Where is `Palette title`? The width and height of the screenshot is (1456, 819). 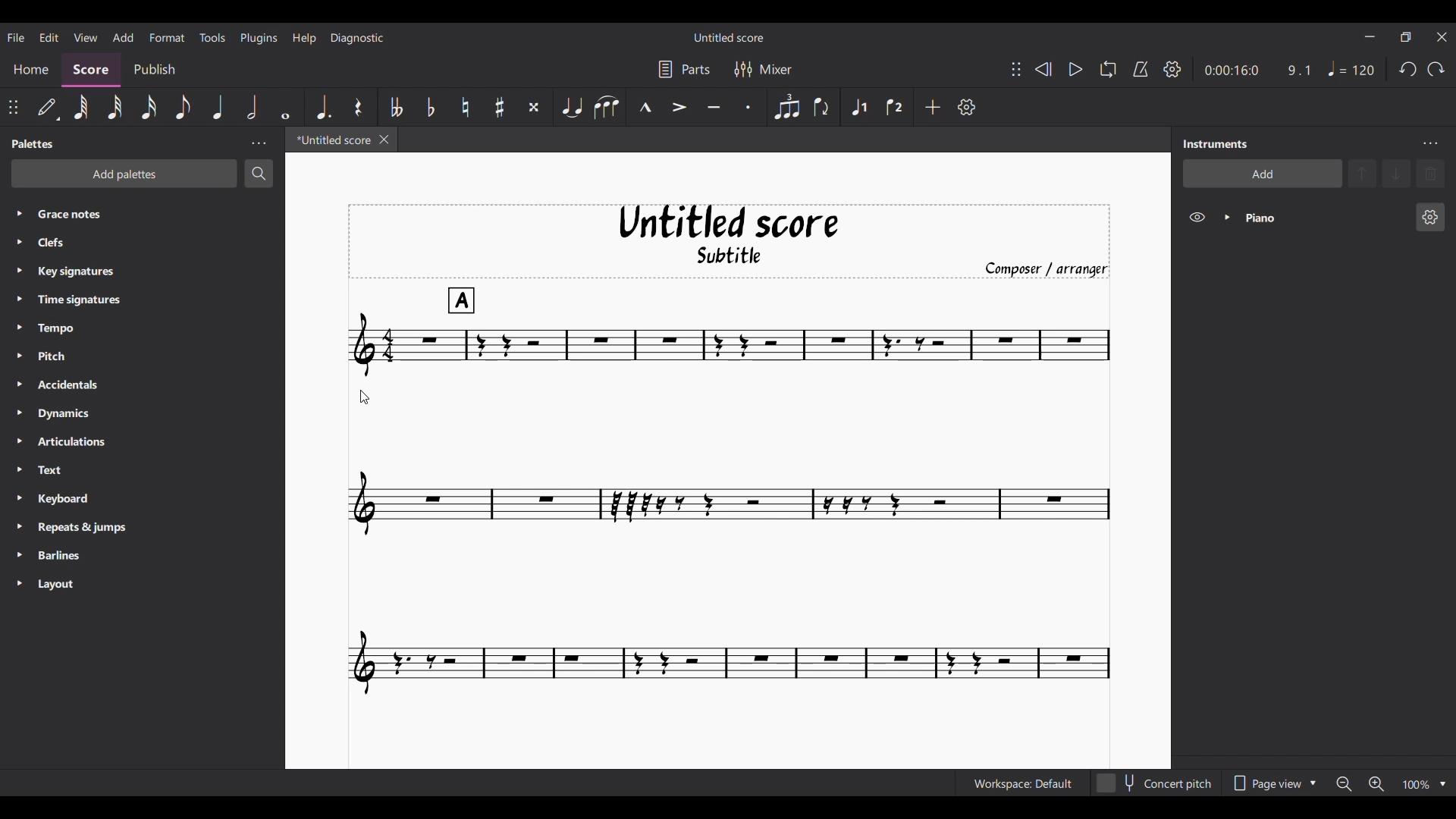
Palette title is located at coordinates (34, 144).